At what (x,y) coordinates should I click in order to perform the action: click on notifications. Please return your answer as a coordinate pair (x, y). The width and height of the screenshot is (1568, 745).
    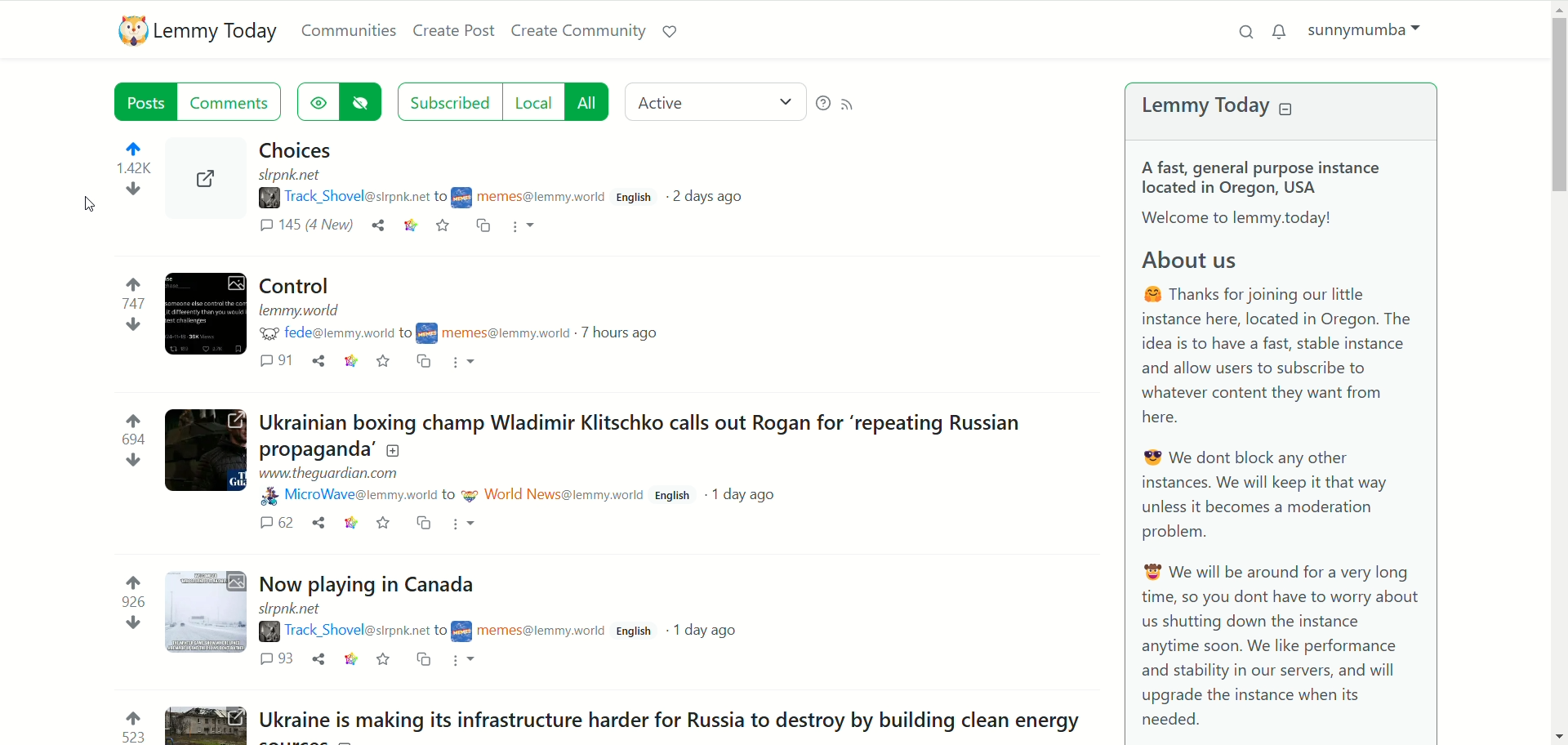
    Looking at the image, I should click on (1281, 33).